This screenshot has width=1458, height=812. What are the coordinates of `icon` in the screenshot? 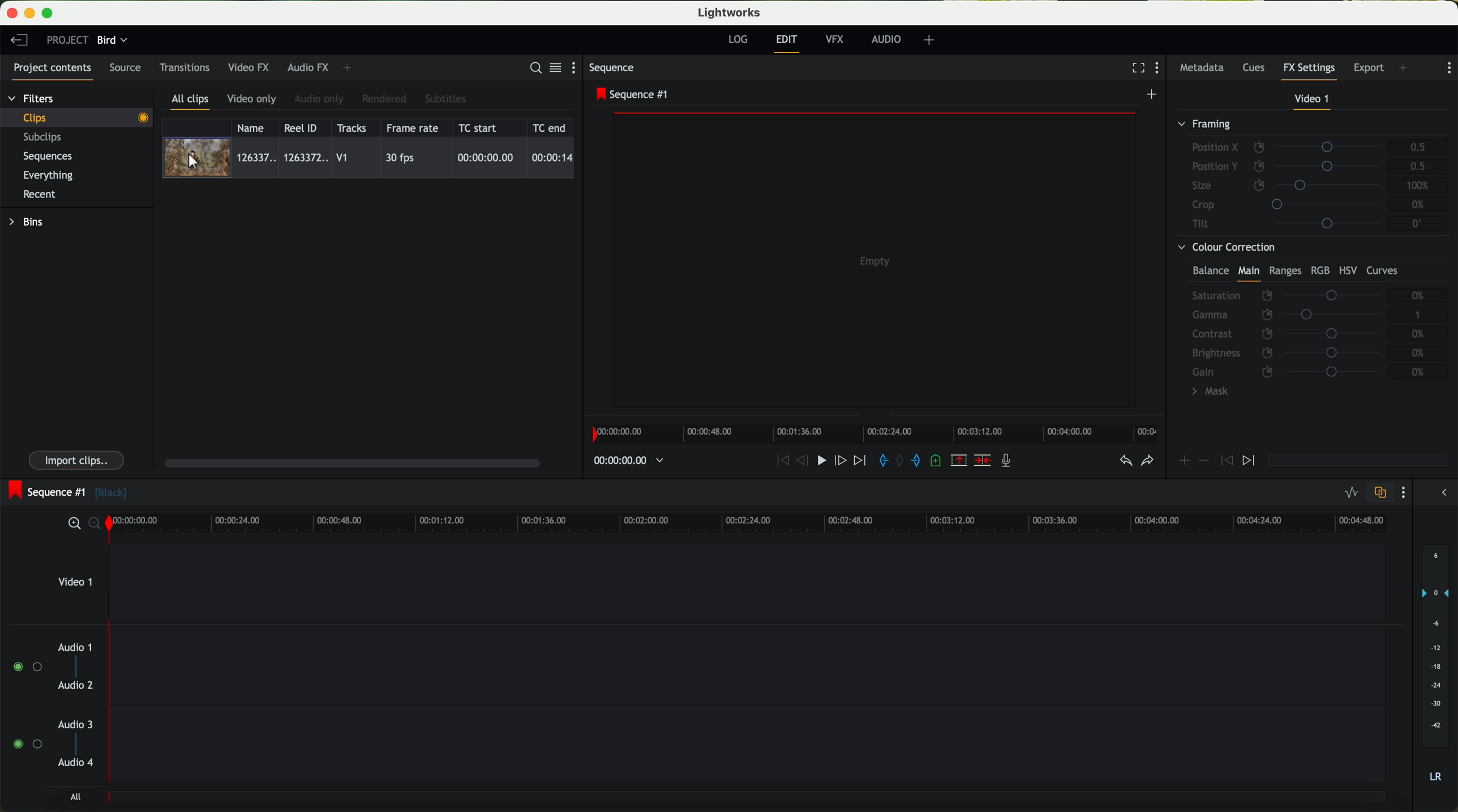 It's located at (1250, 461).